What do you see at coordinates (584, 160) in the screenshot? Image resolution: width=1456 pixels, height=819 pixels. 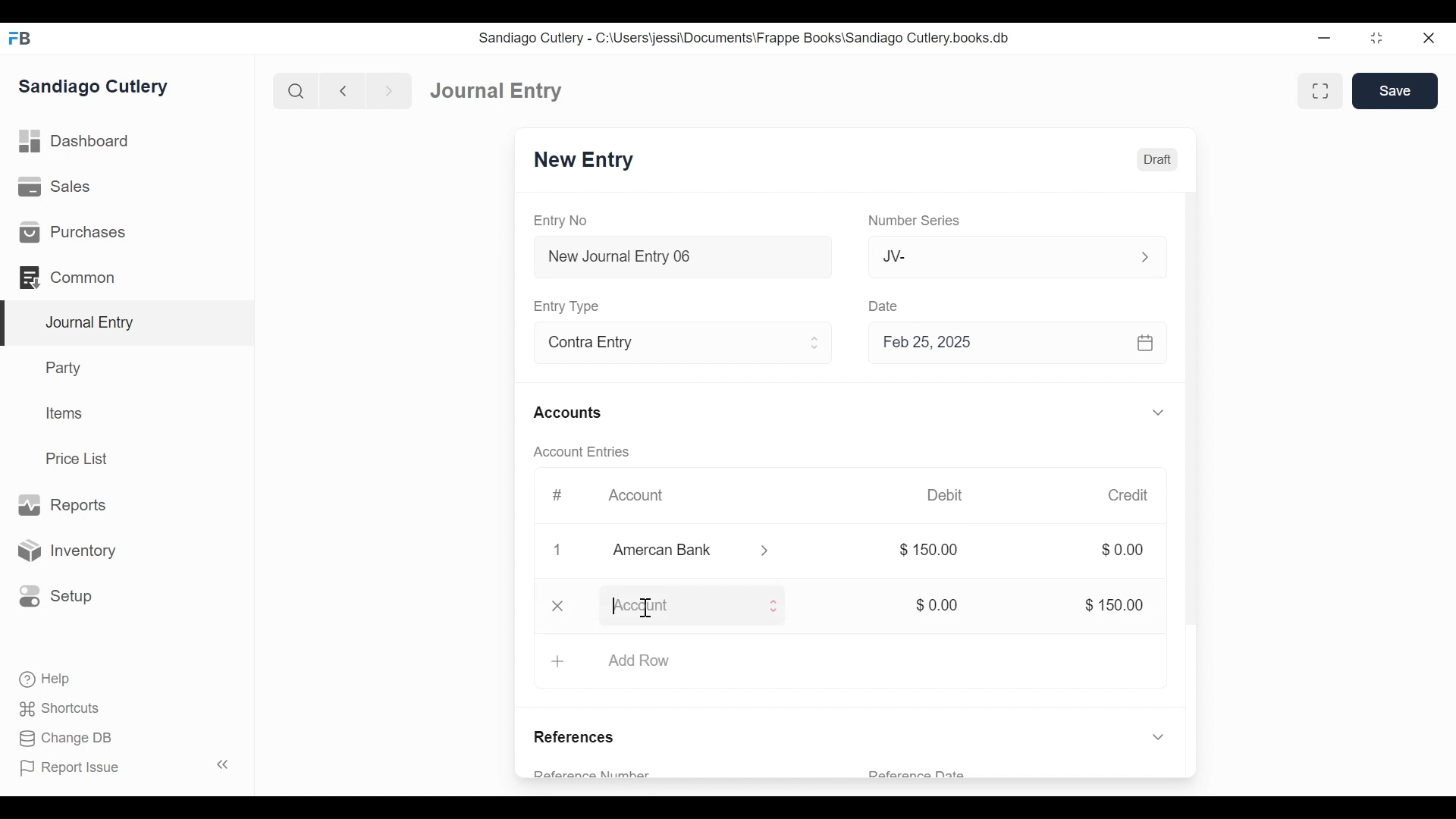 I see `New Entry` at bounding box center [584, 160].